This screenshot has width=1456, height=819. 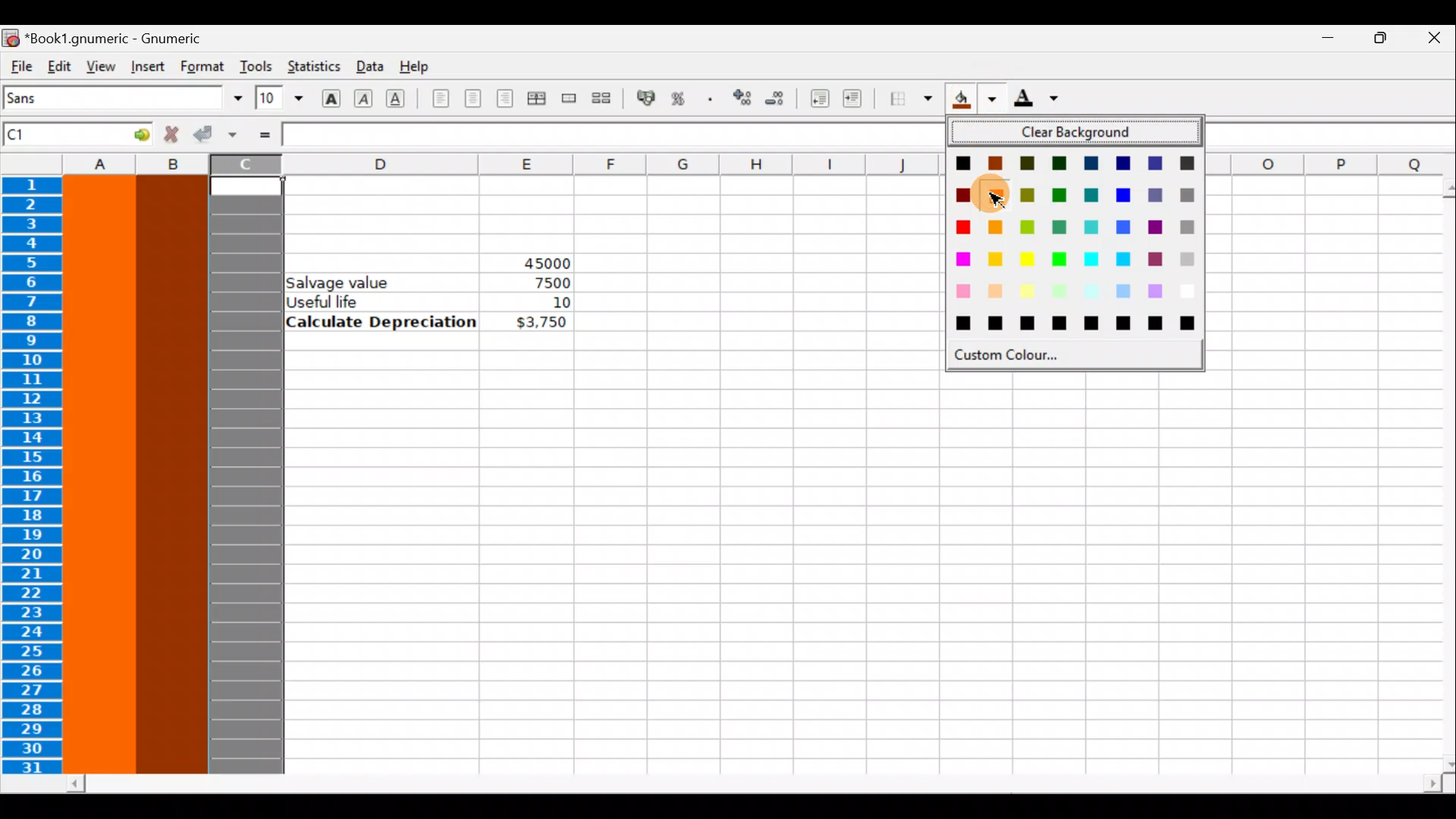 What do you see at coordinates (1377, 42) in the screenshot?
I see `Maximize` at bounding box center [1377, 42].